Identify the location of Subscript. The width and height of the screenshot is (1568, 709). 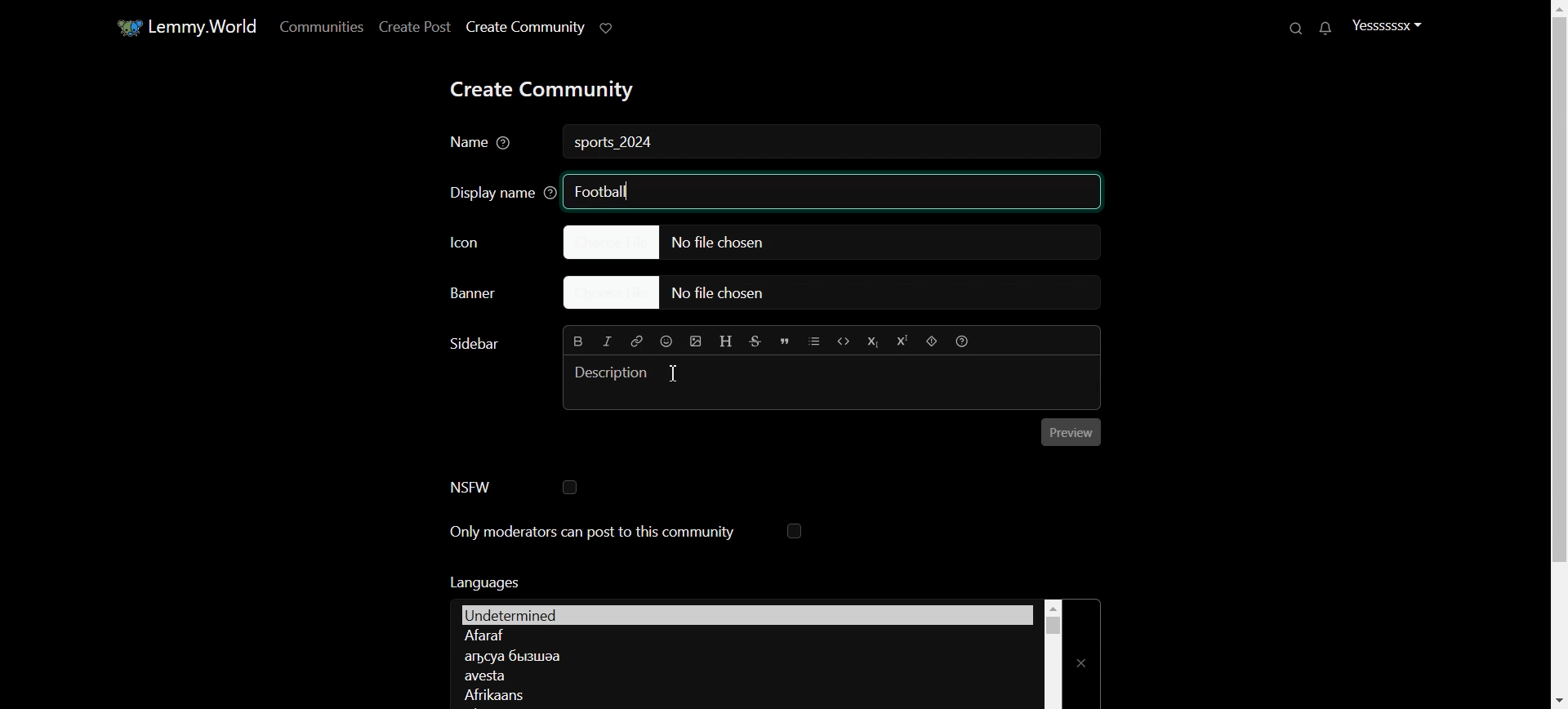
(871, 341).